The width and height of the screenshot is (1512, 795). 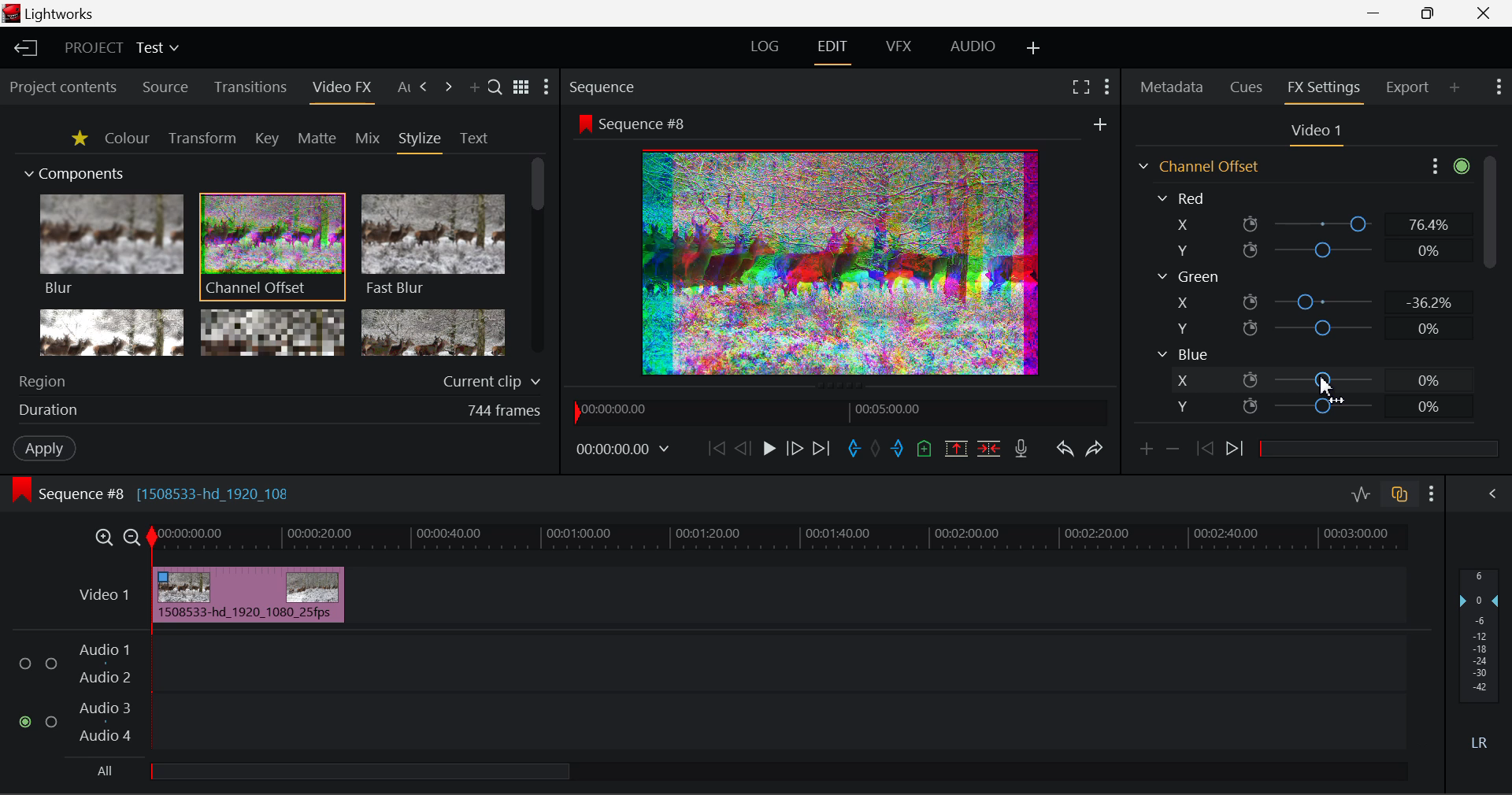 I want to click on Scroll Bar, so click(x=535, y=256).